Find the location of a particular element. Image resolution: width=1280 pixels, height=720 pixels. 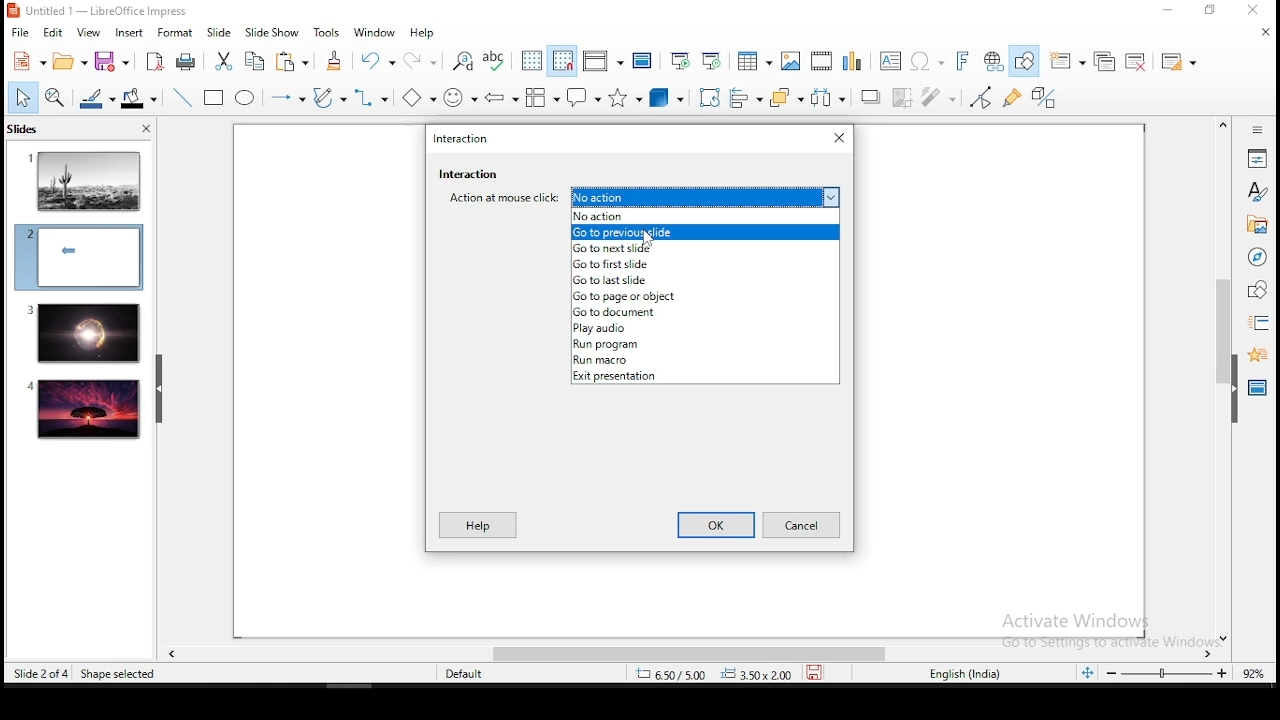

properties is located at coordinates (1257, 157).